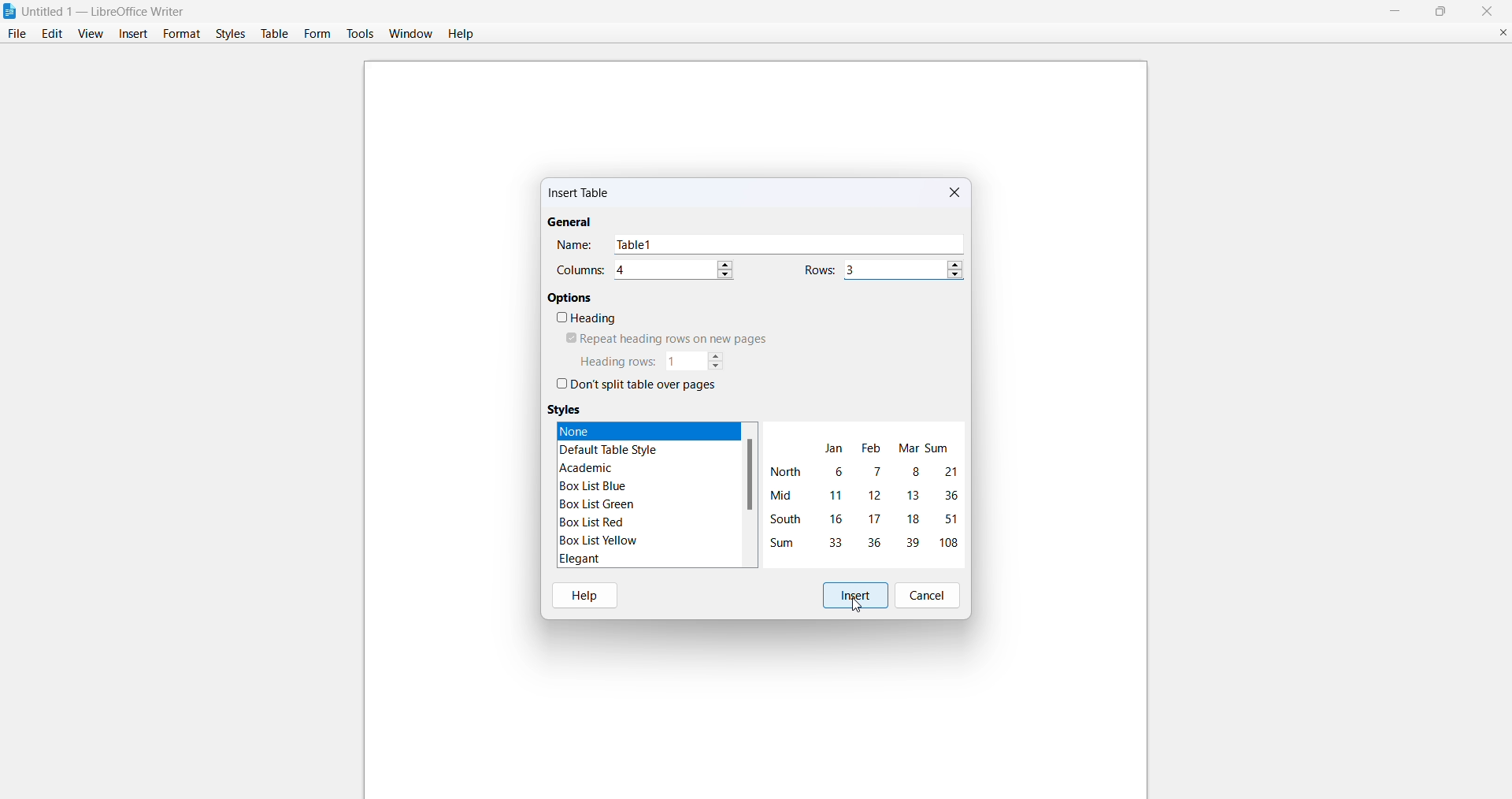  Describe the element at coordinates (628, 430) in the screenshot. I see `none` at that location.